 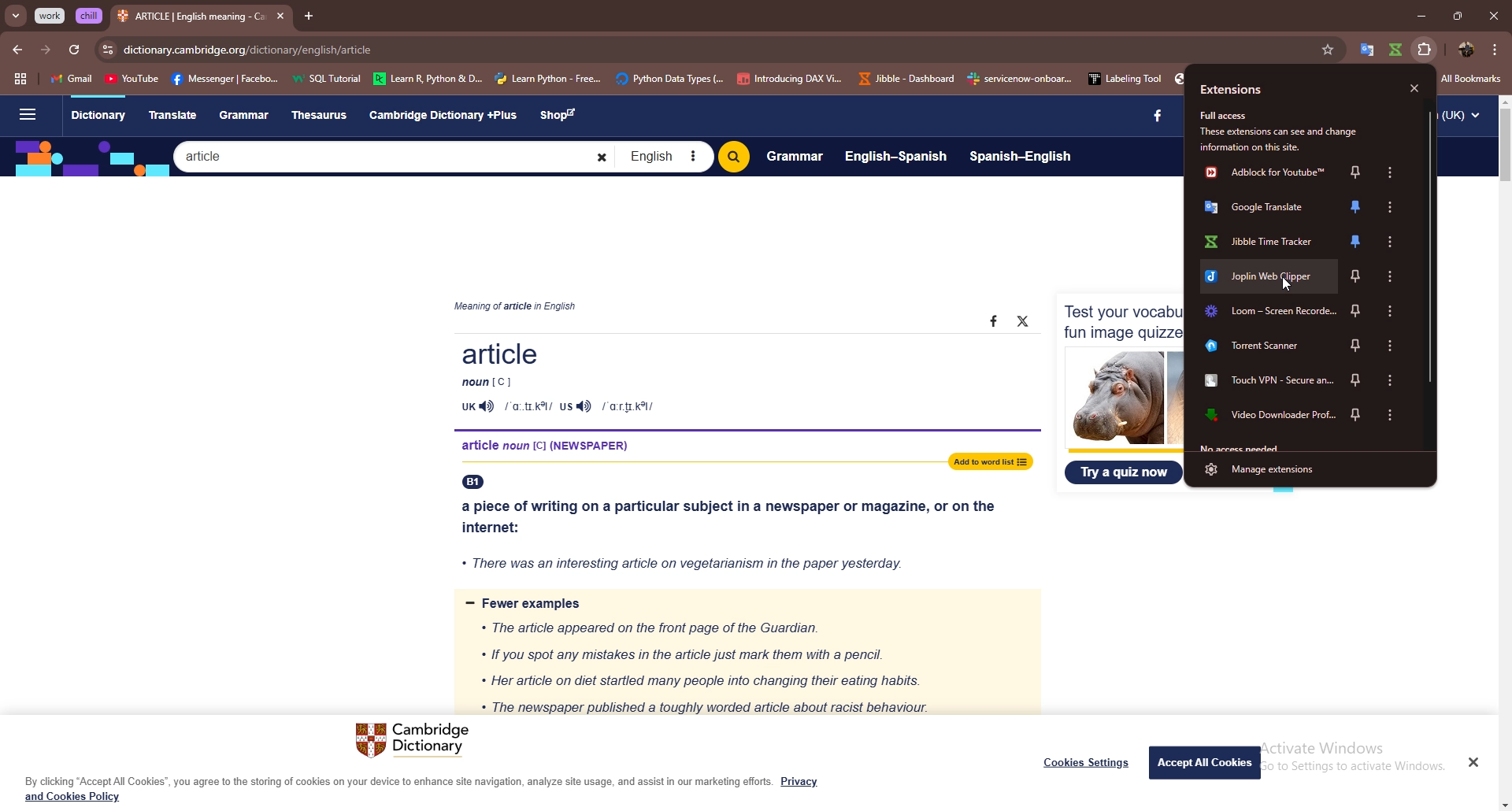 I want to click on grouped tab, so click(x=51, y=16).